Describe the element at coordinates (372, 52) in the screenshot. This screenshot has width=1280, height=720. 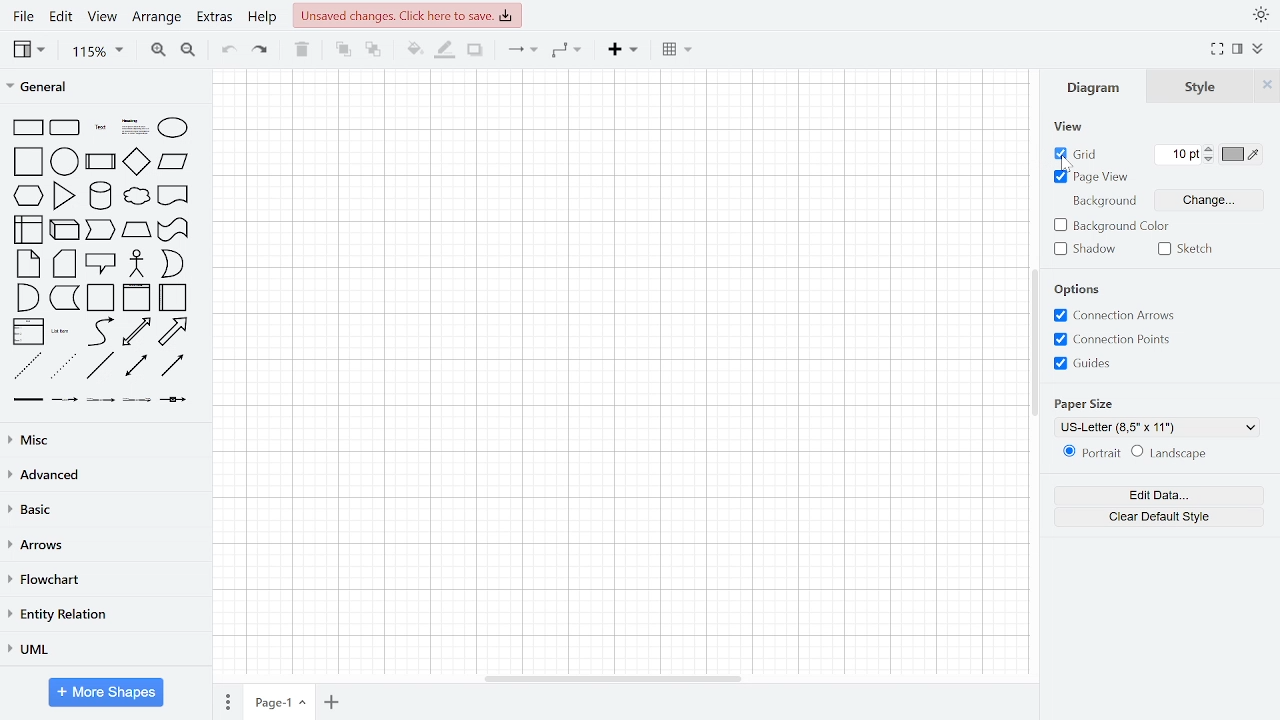
I see `to back` at that location.